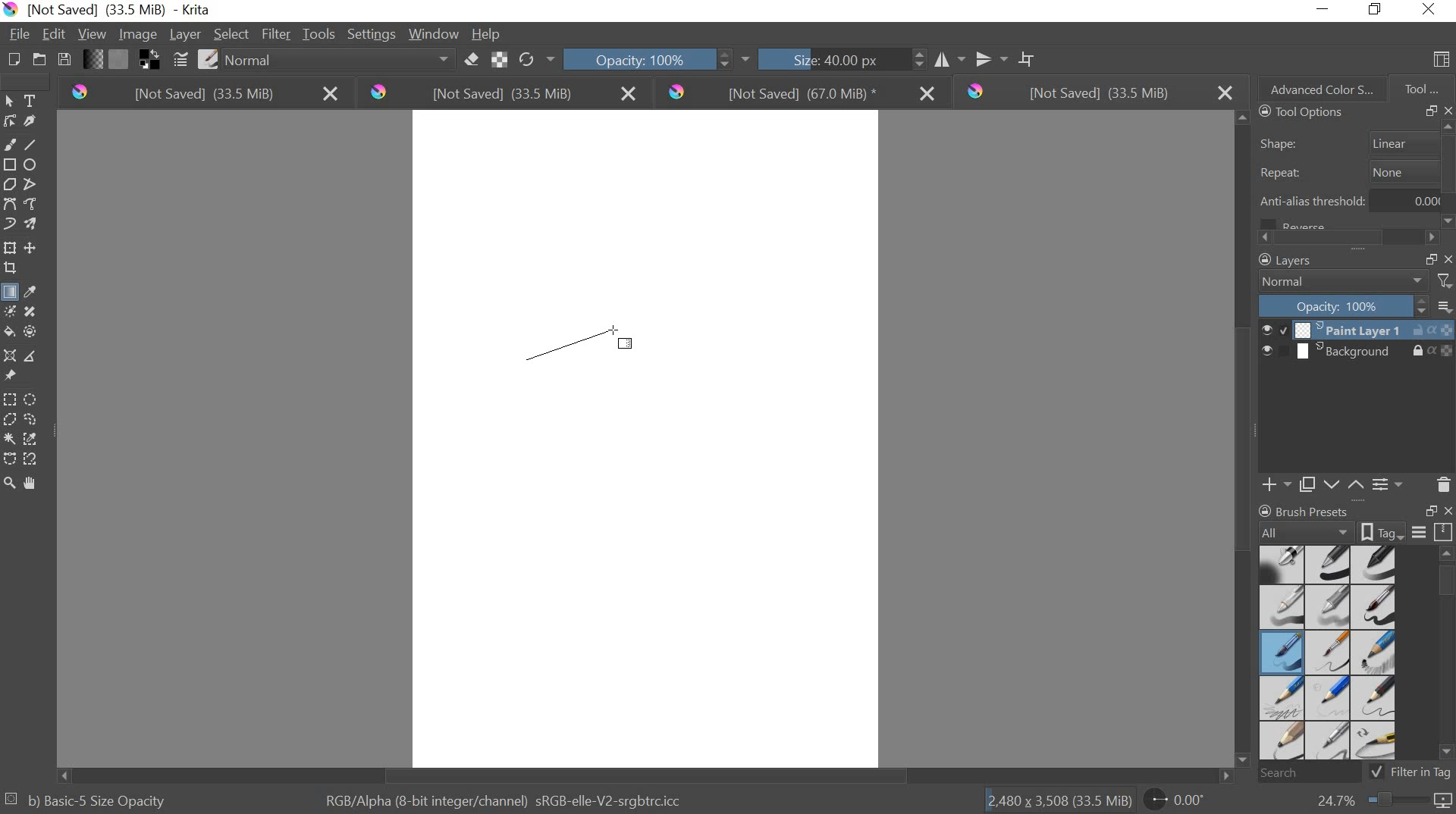  What do you see at coordinates (92, 36) in the screenshot?
I see `VIEW` at bounding box center [92, 36].